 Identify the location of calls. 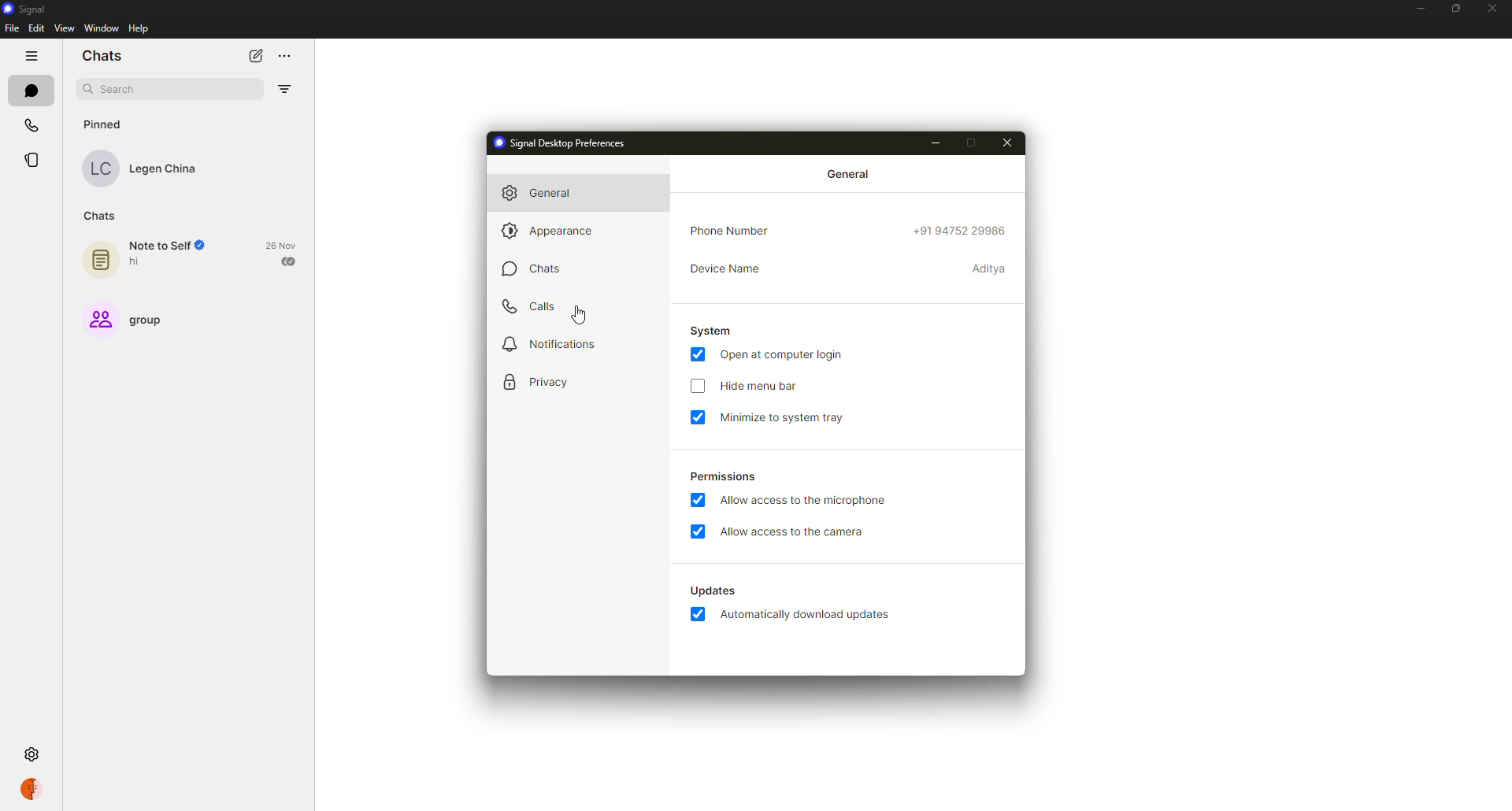
(29, 124).